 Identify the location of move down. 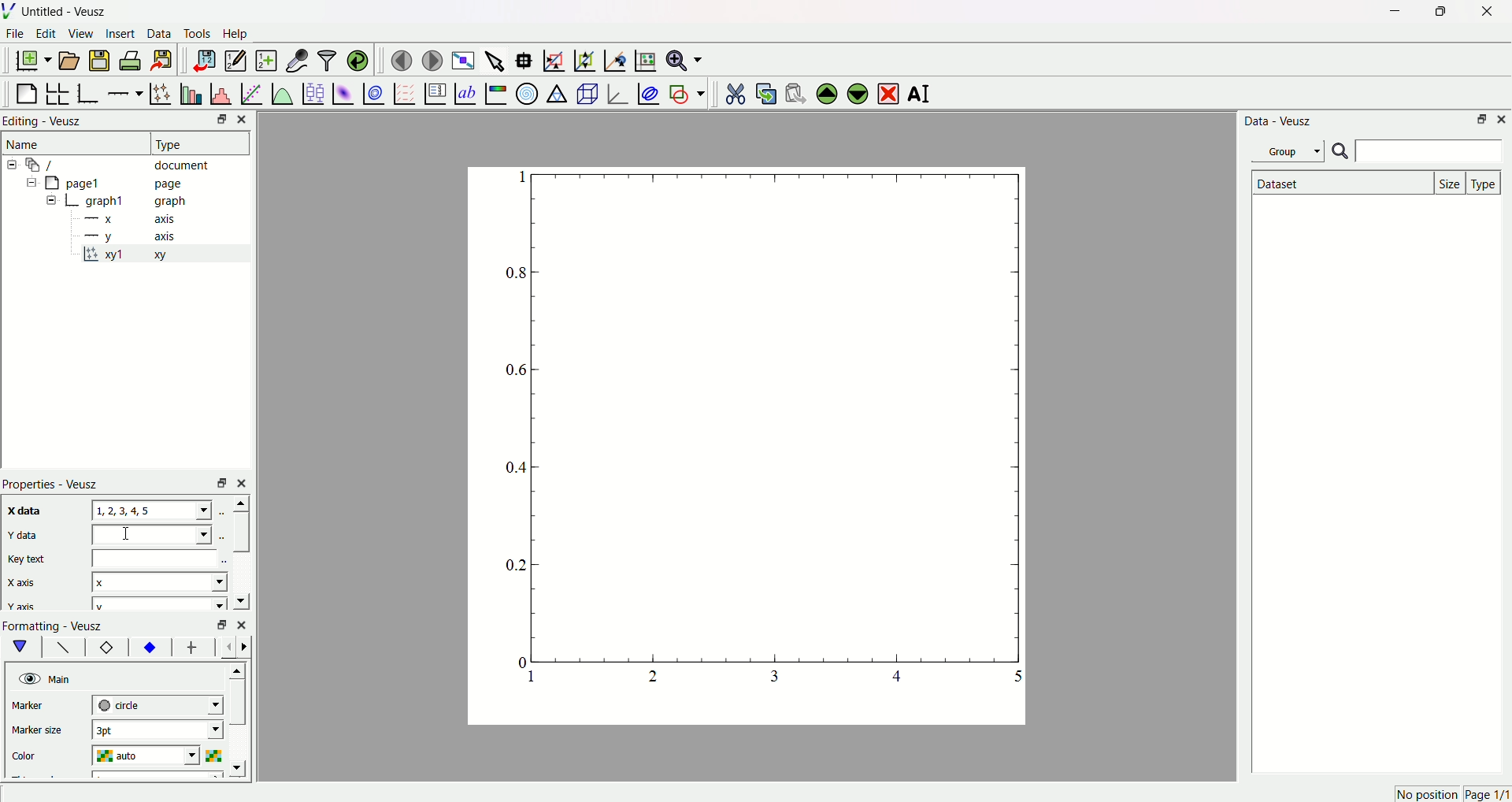
(240, 600).